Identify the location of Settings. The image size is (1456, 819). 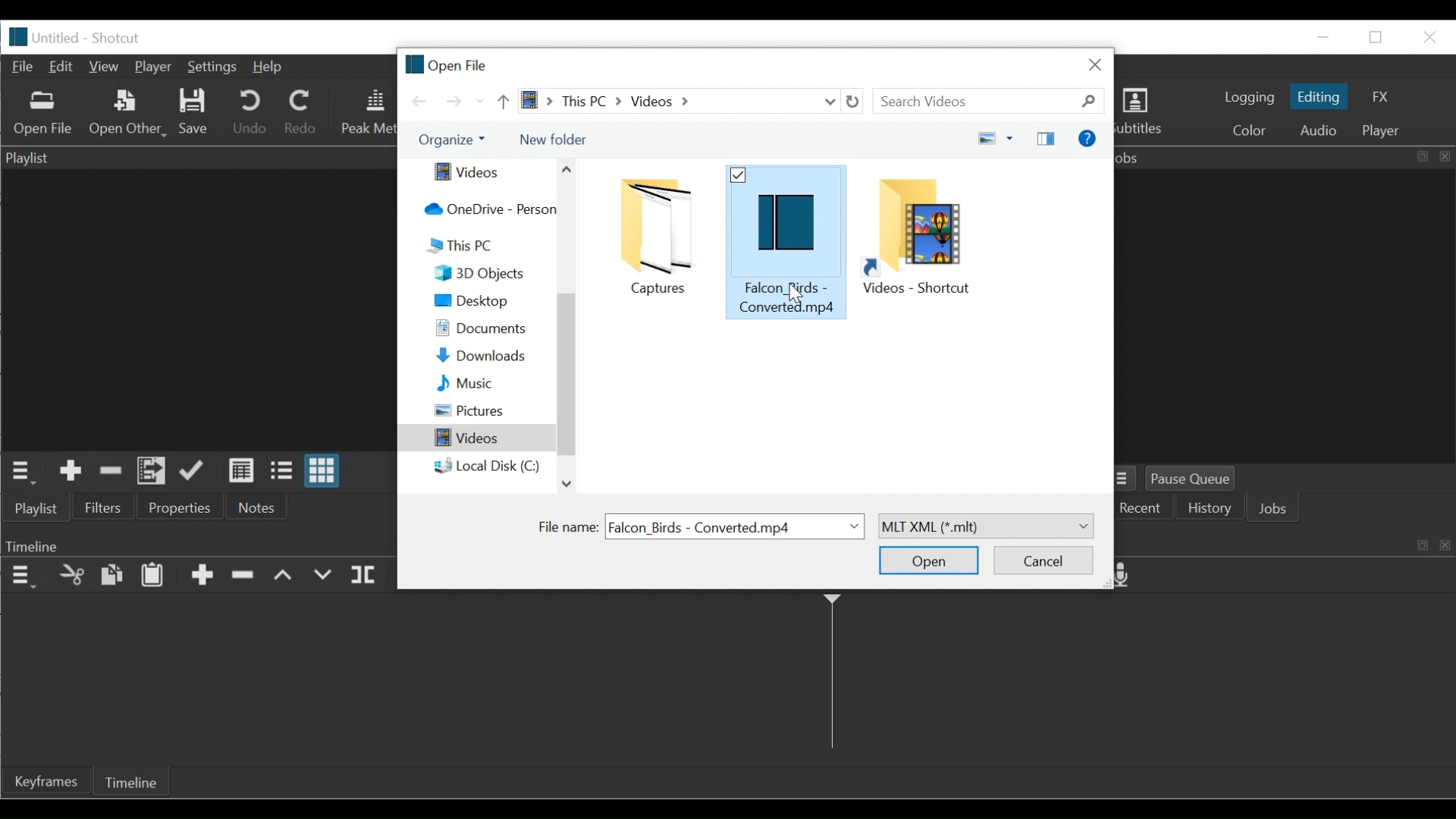
(212, 68).